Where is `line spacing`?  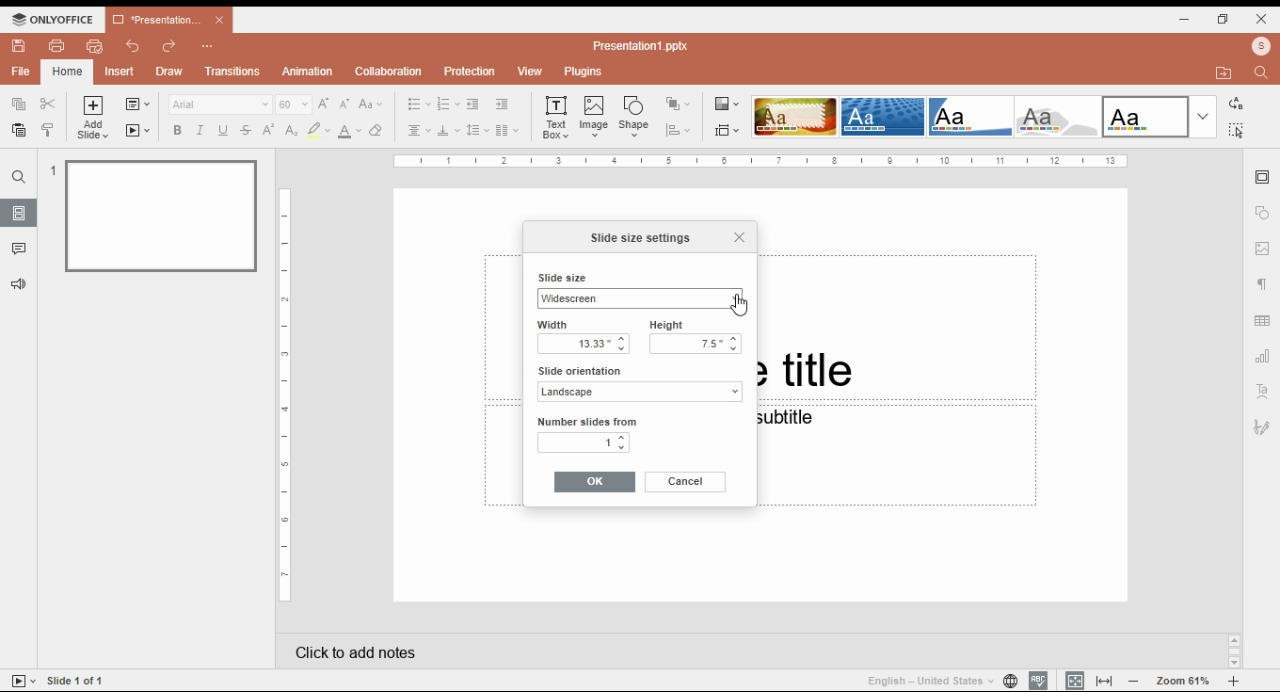 line spacing is located at coordinates (478, 131).